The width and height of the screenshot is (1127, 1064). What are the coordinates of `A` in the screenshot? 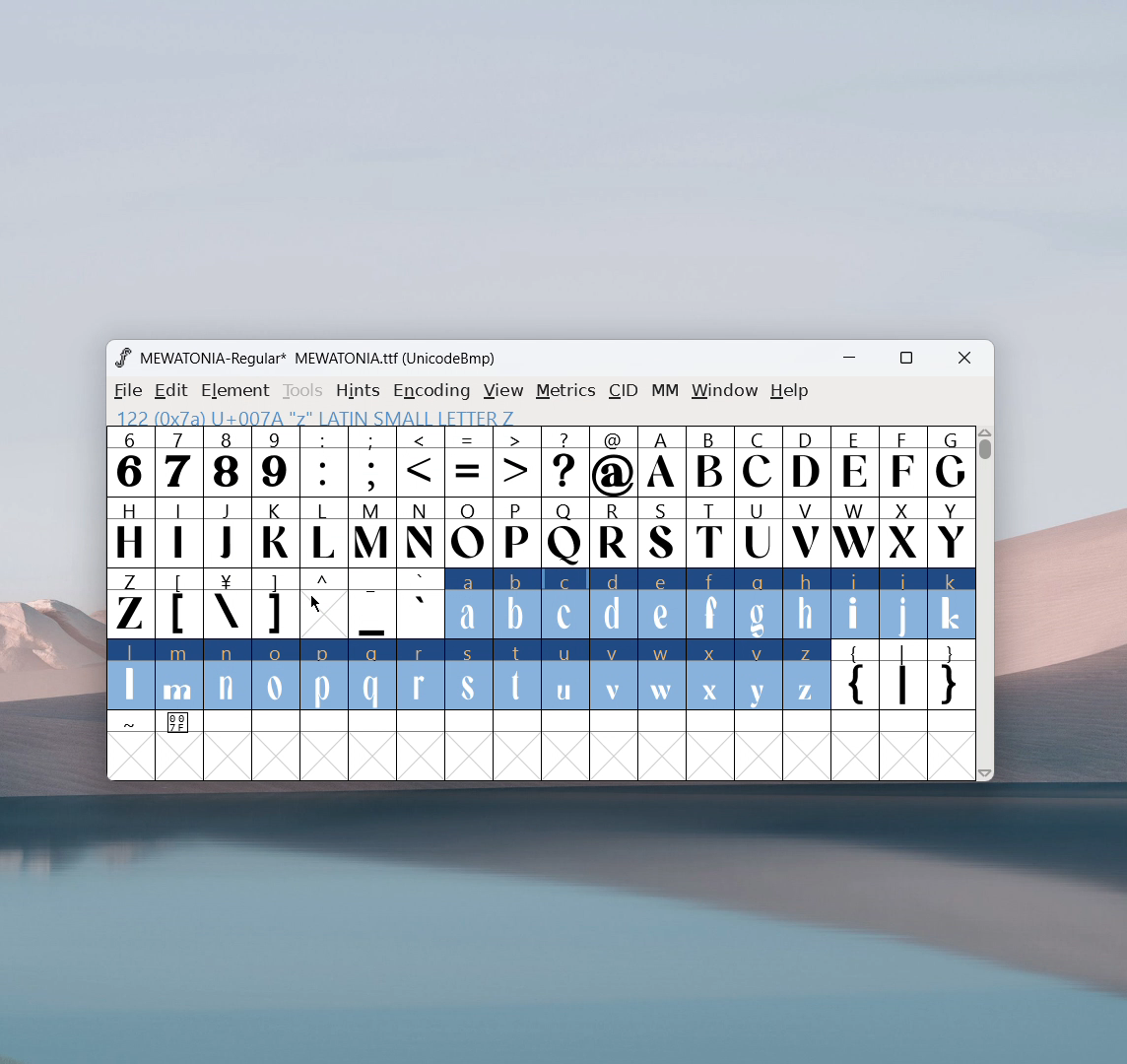 It's located at (663, 462).